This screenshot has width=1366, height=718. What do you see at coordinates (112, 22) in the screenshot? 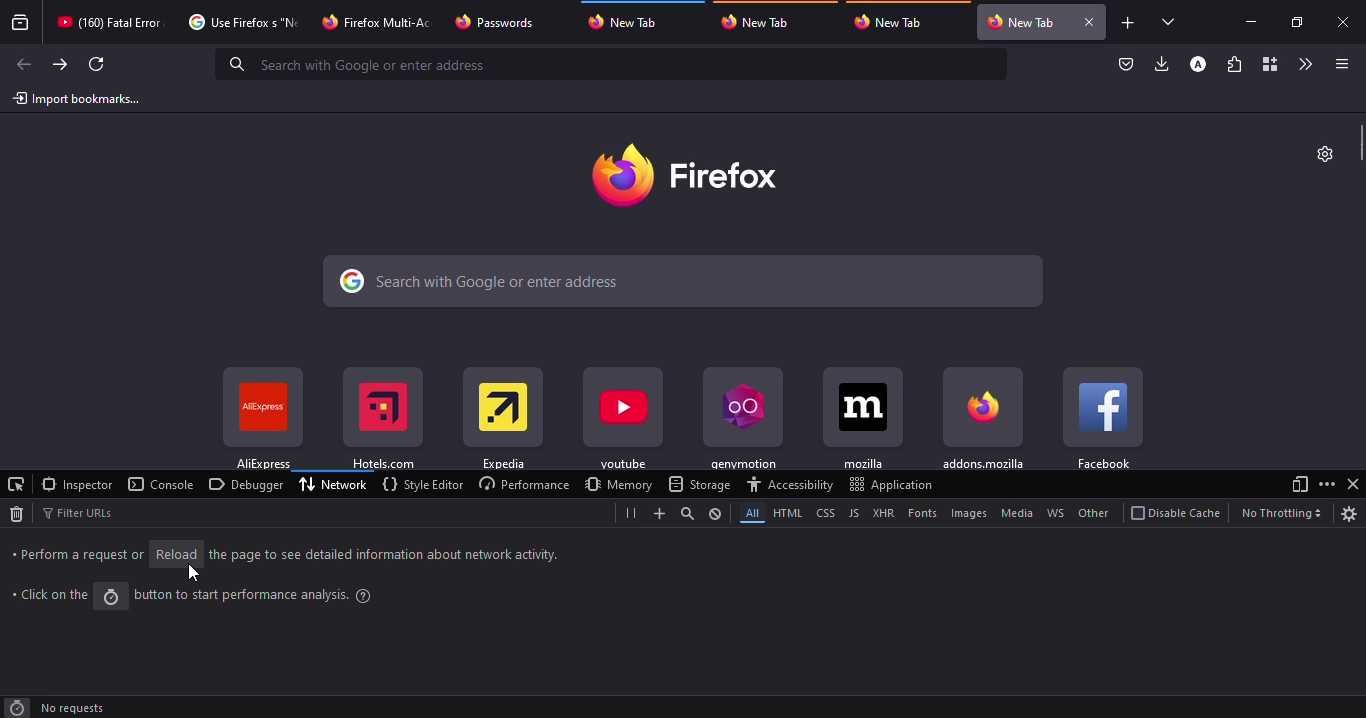
I see `tab` at bounding box center [112, 22].